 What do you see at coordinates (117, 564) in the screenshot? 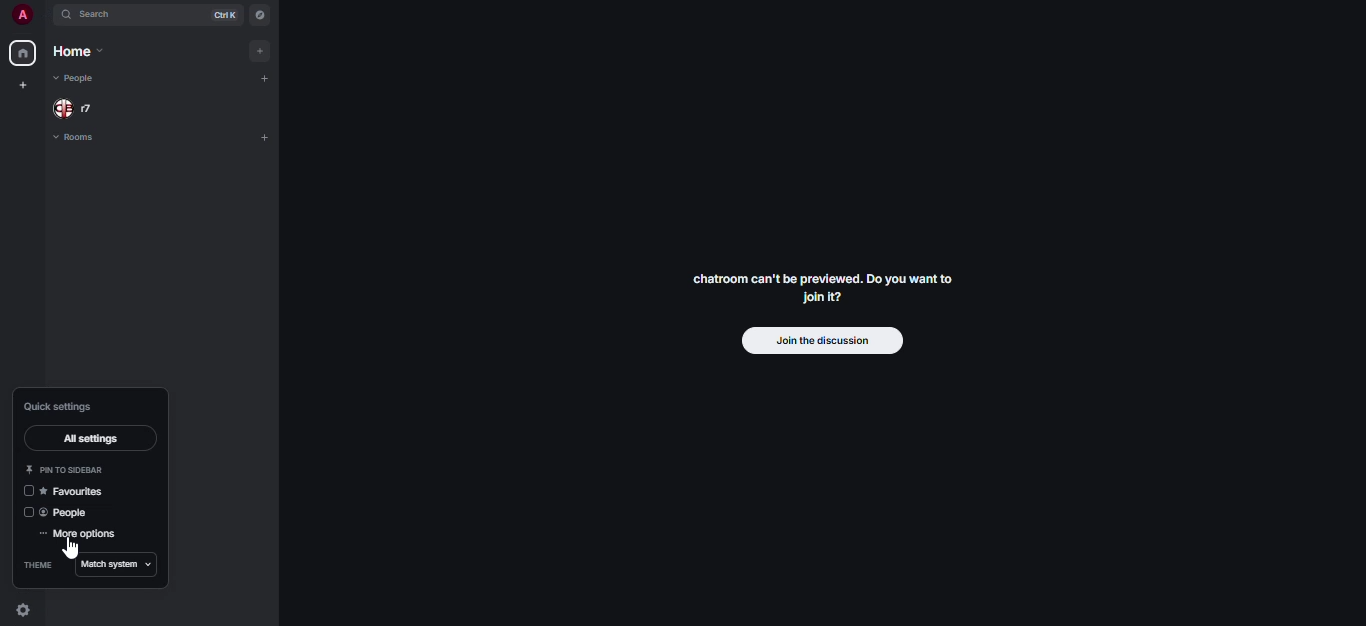
I see `match system` at bounding box center [117, 564].